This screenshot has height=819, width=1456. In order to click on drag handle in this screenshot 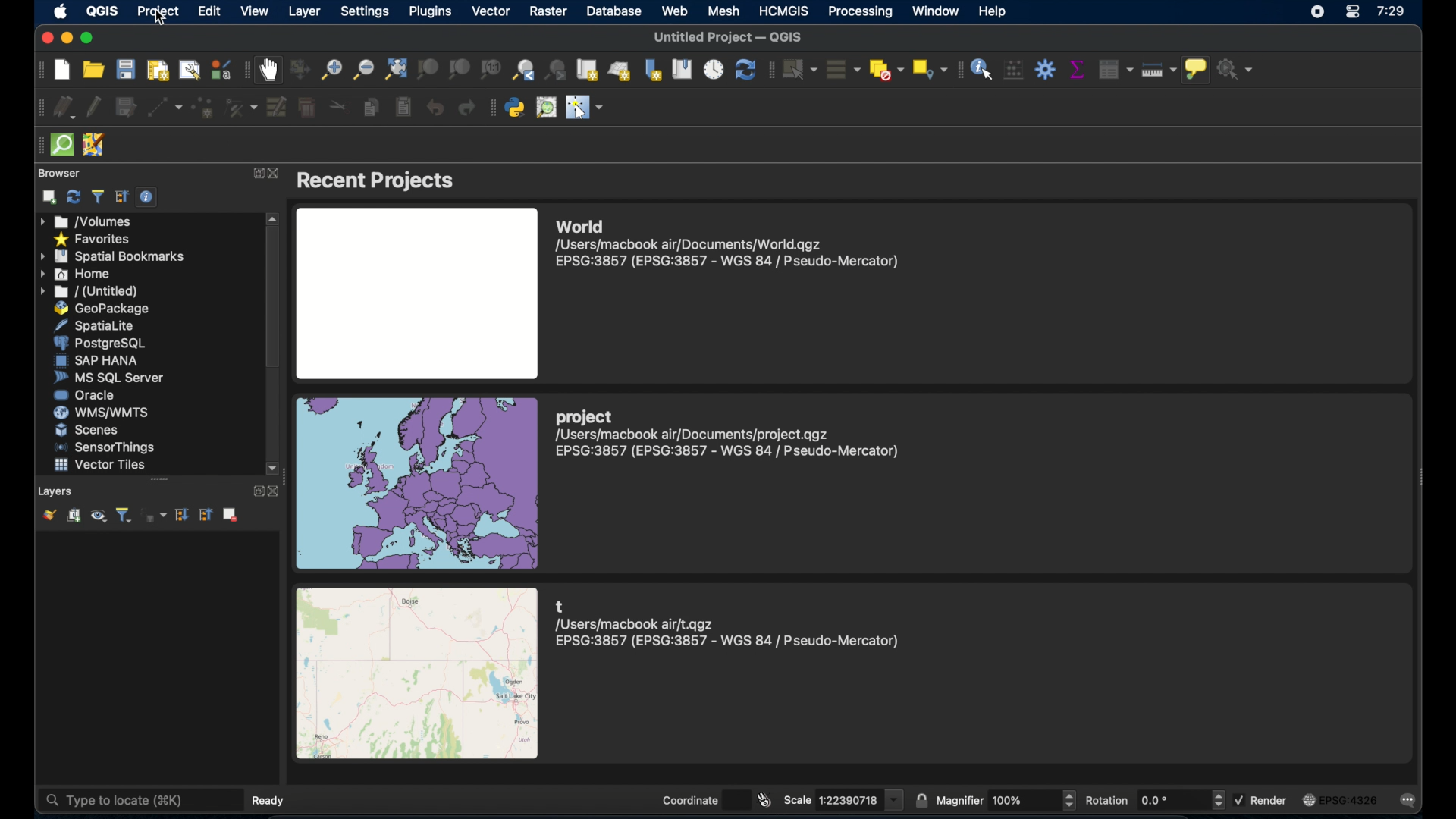, I will do `click(38, 146)`.